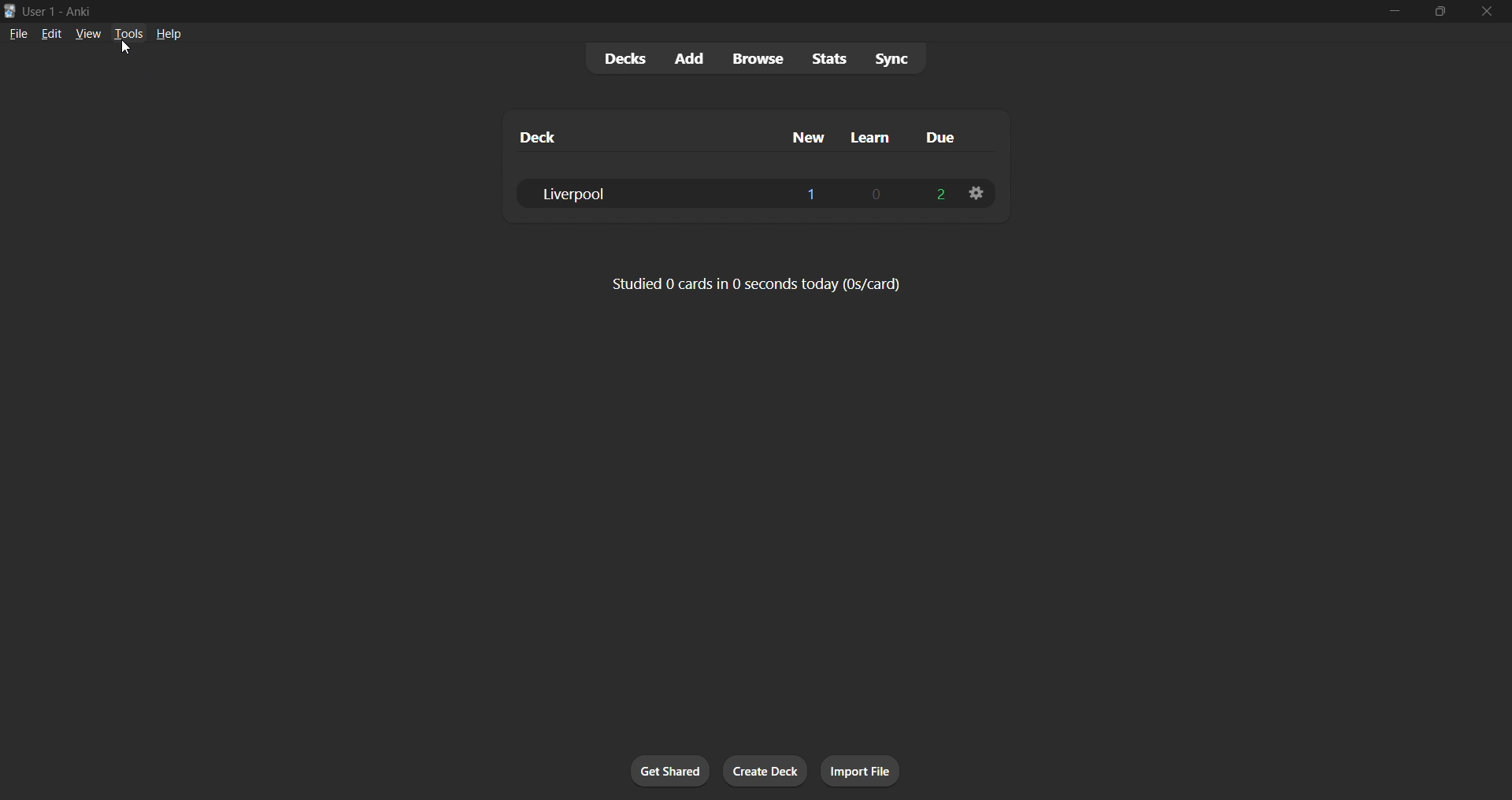  What do you see at coordinates (830, 58) in the screenshot?
I see `stats` at bounding box center [830, 58].